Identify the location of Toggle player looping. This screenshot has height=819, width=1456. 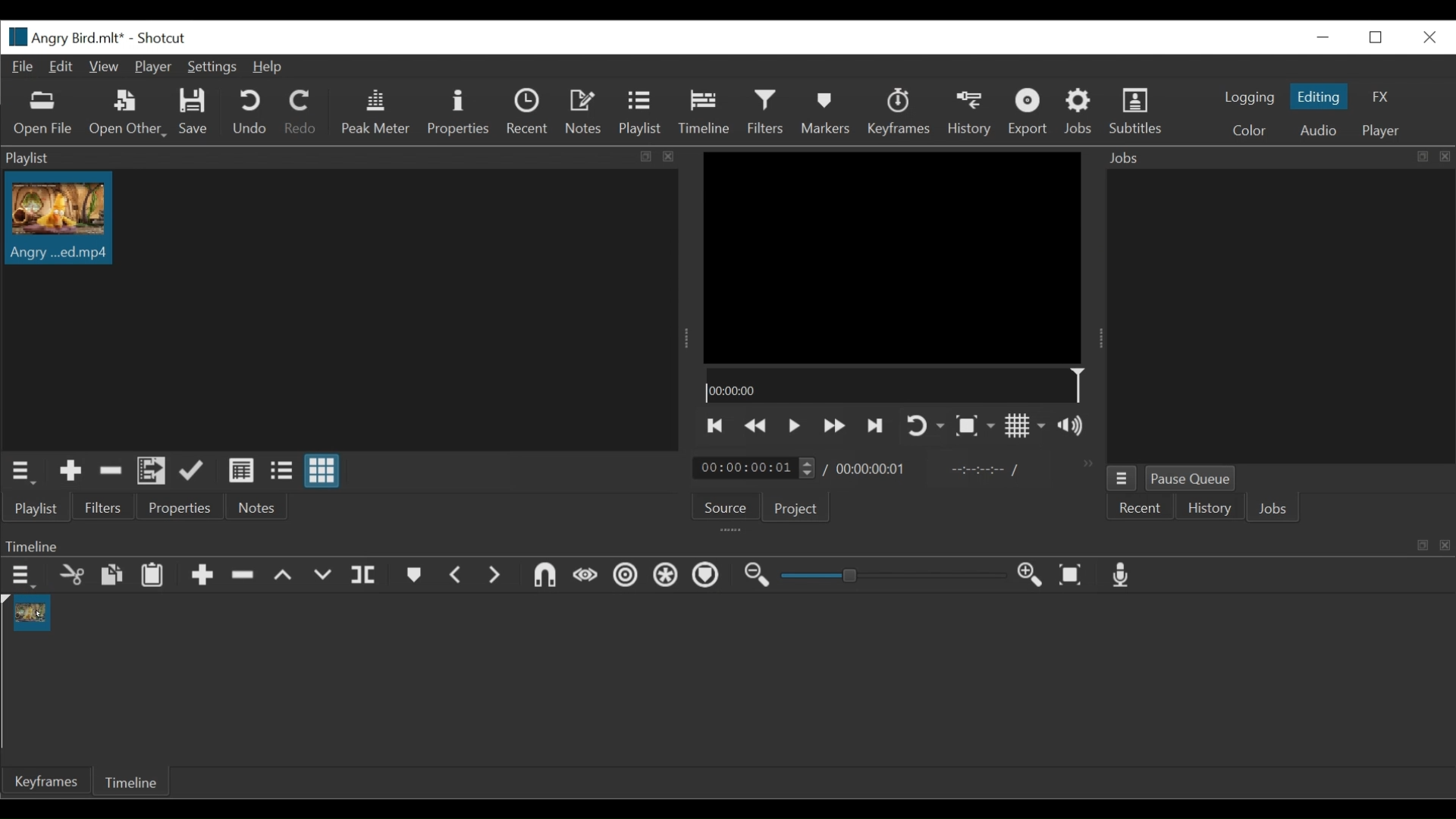
(924, 426).